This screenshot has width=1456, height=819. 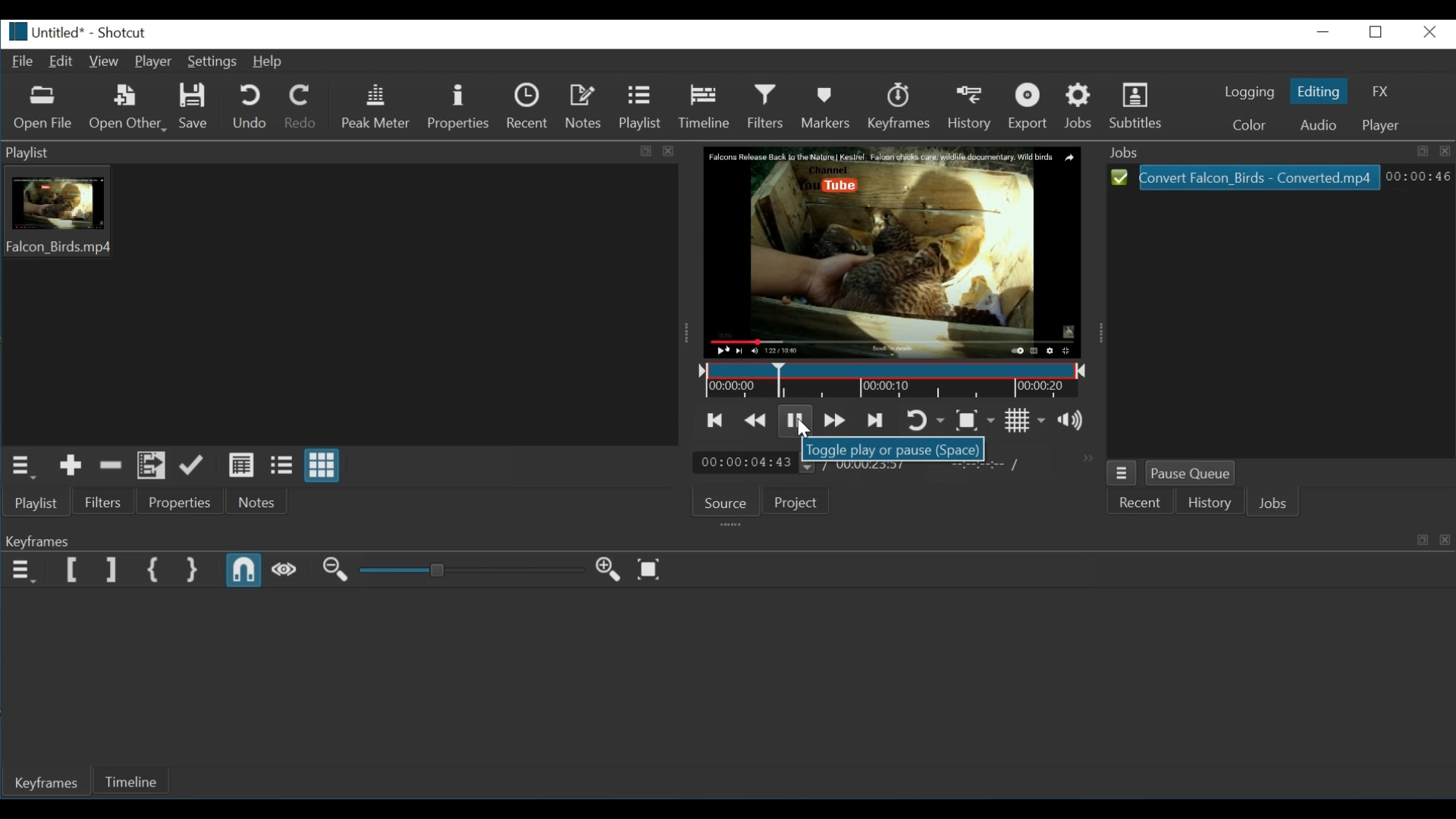 I want to click on Set Keyframe End, so click(x=111, y=570).